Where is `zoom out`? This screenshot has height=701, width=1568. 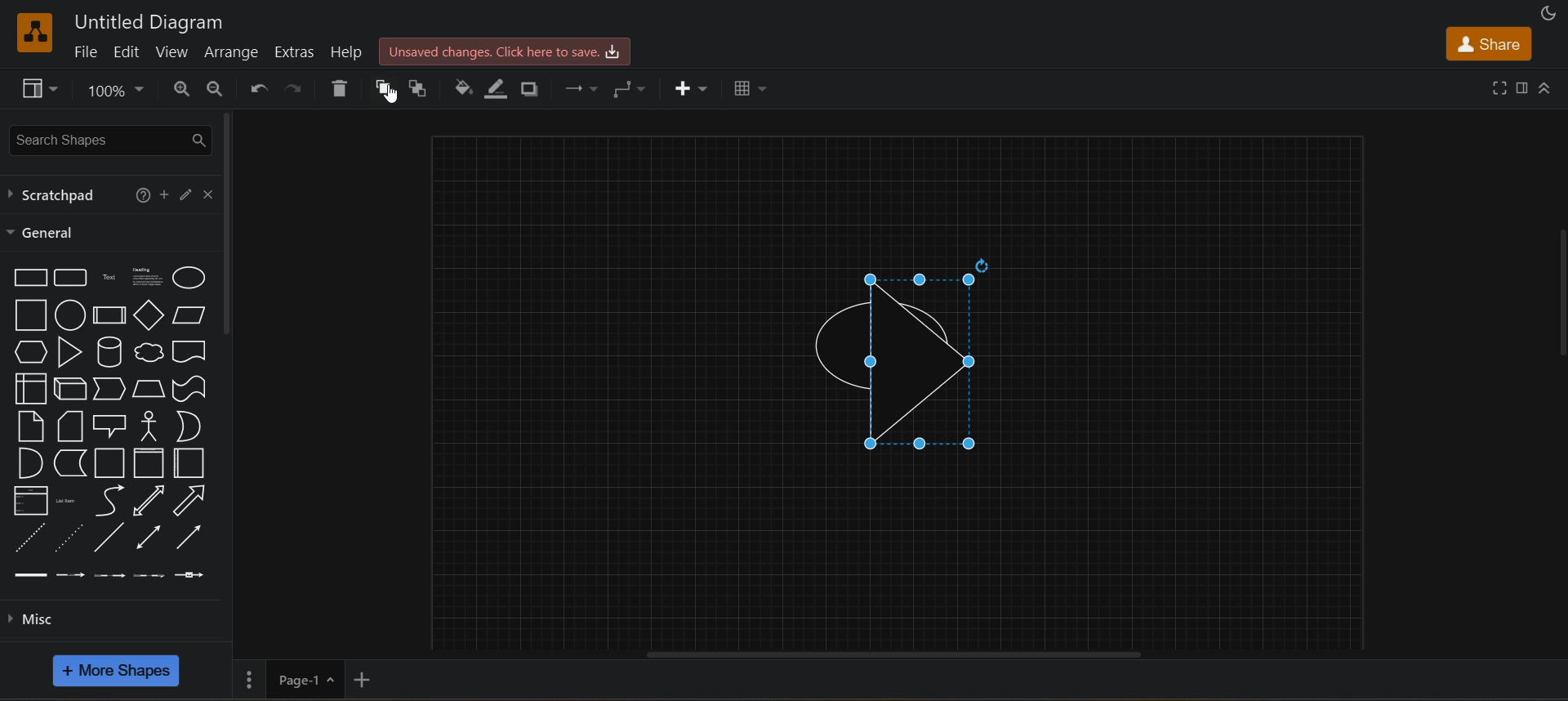 zoom out is located at coordinates (214, 86).